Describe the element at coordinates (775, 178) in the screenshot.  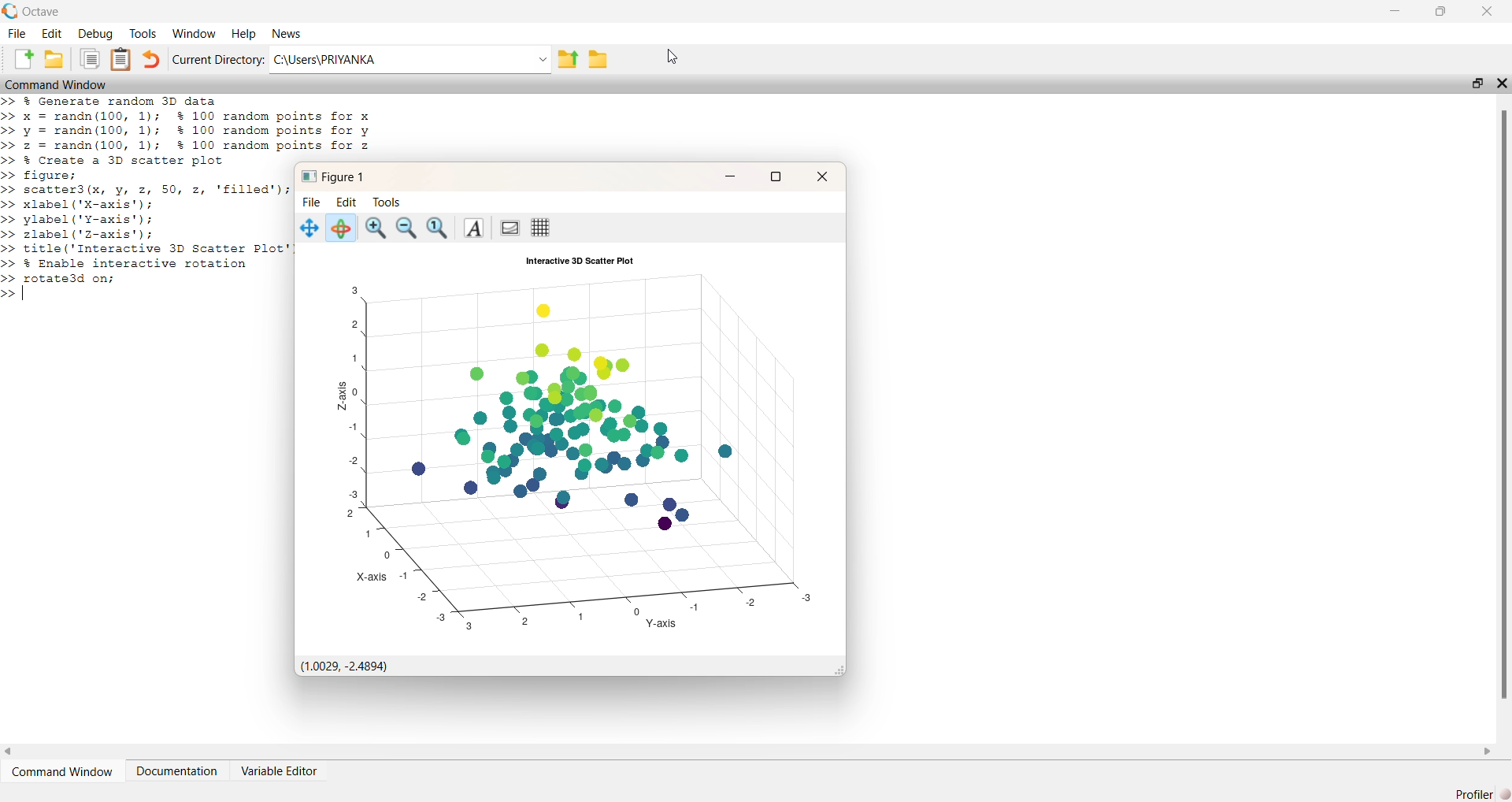
I see `resize` at that location.